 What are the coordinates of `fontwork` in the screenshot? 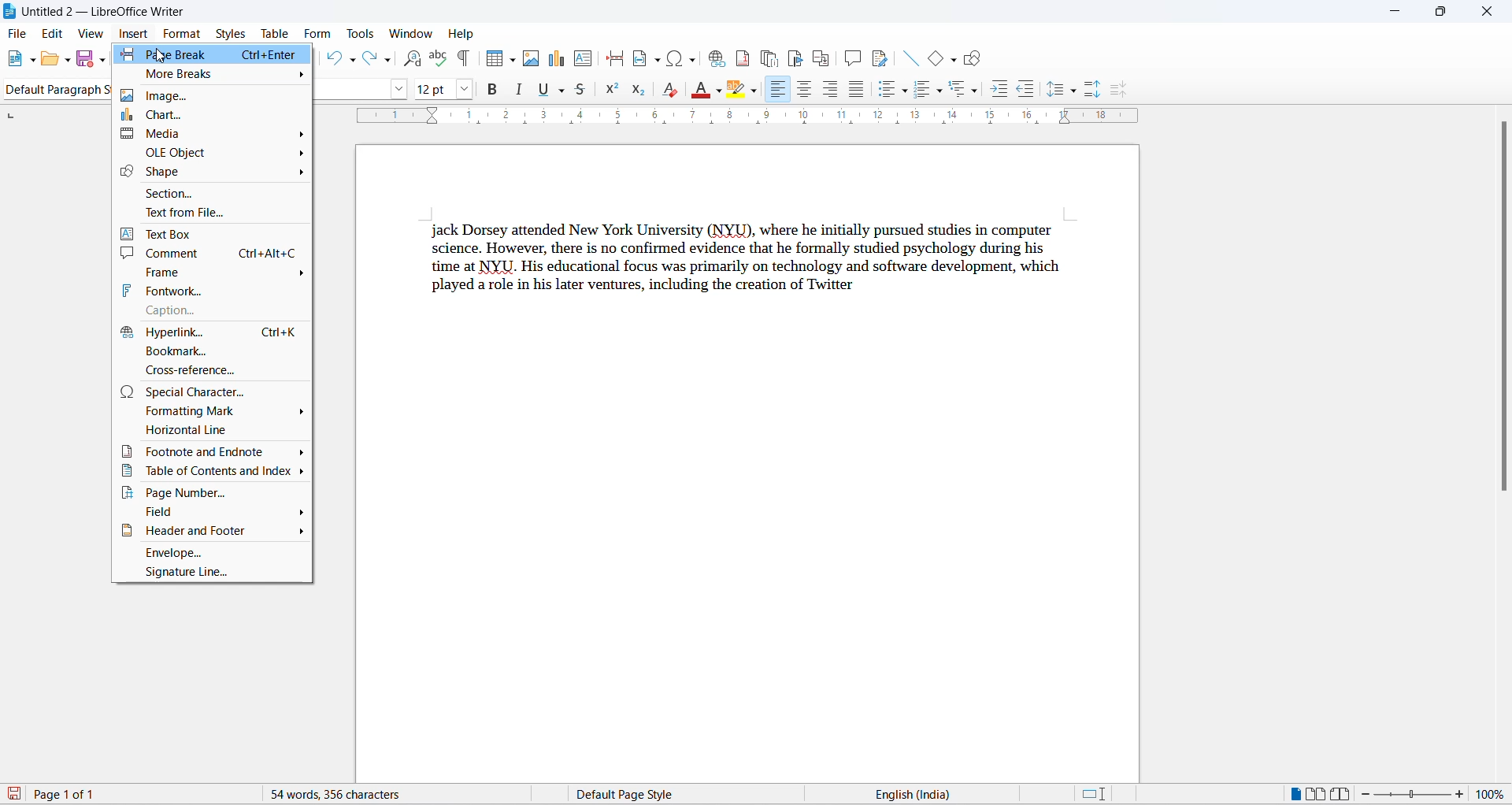 It's located at (213, 290).